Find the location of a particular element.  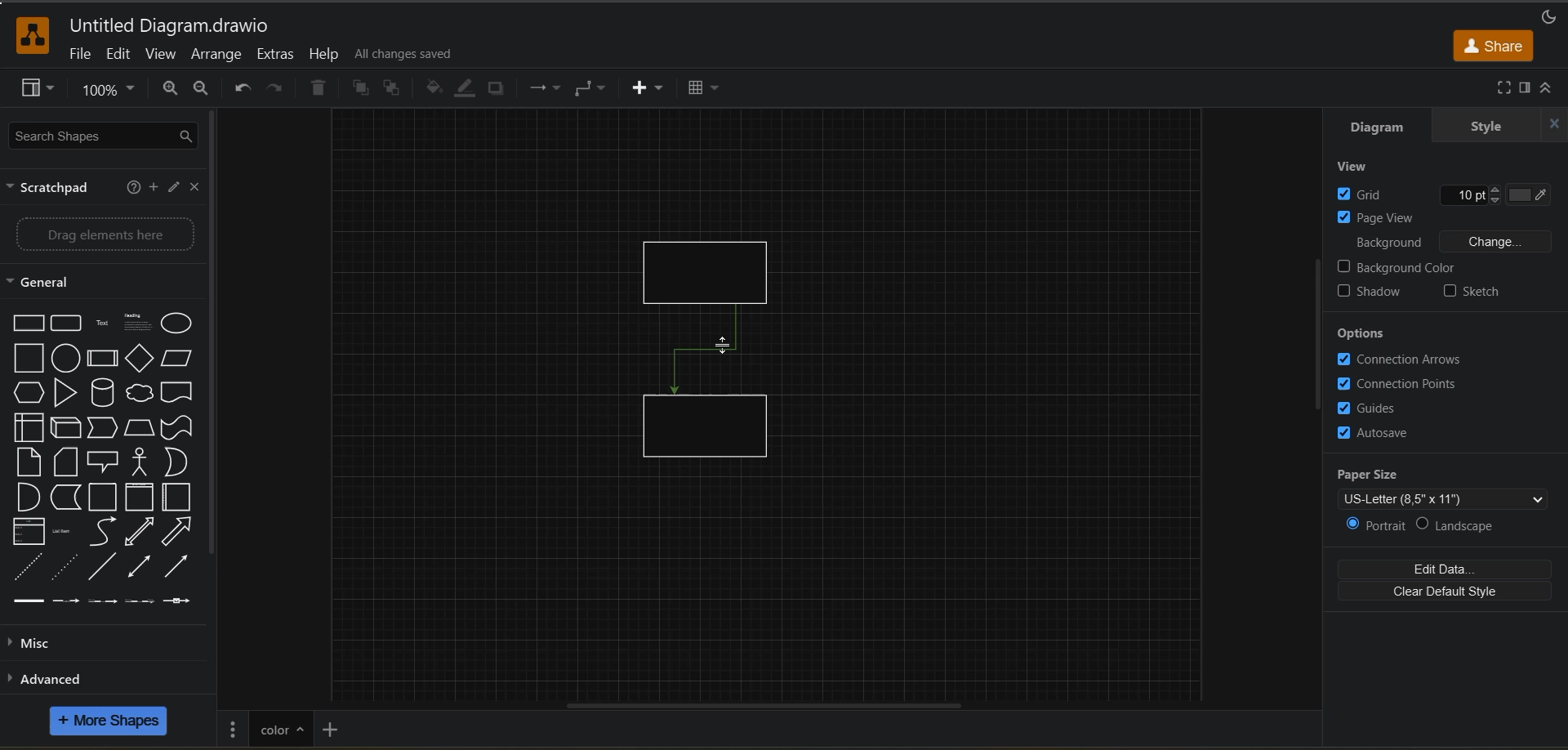

portrait is located at coordinates (1373, 525).